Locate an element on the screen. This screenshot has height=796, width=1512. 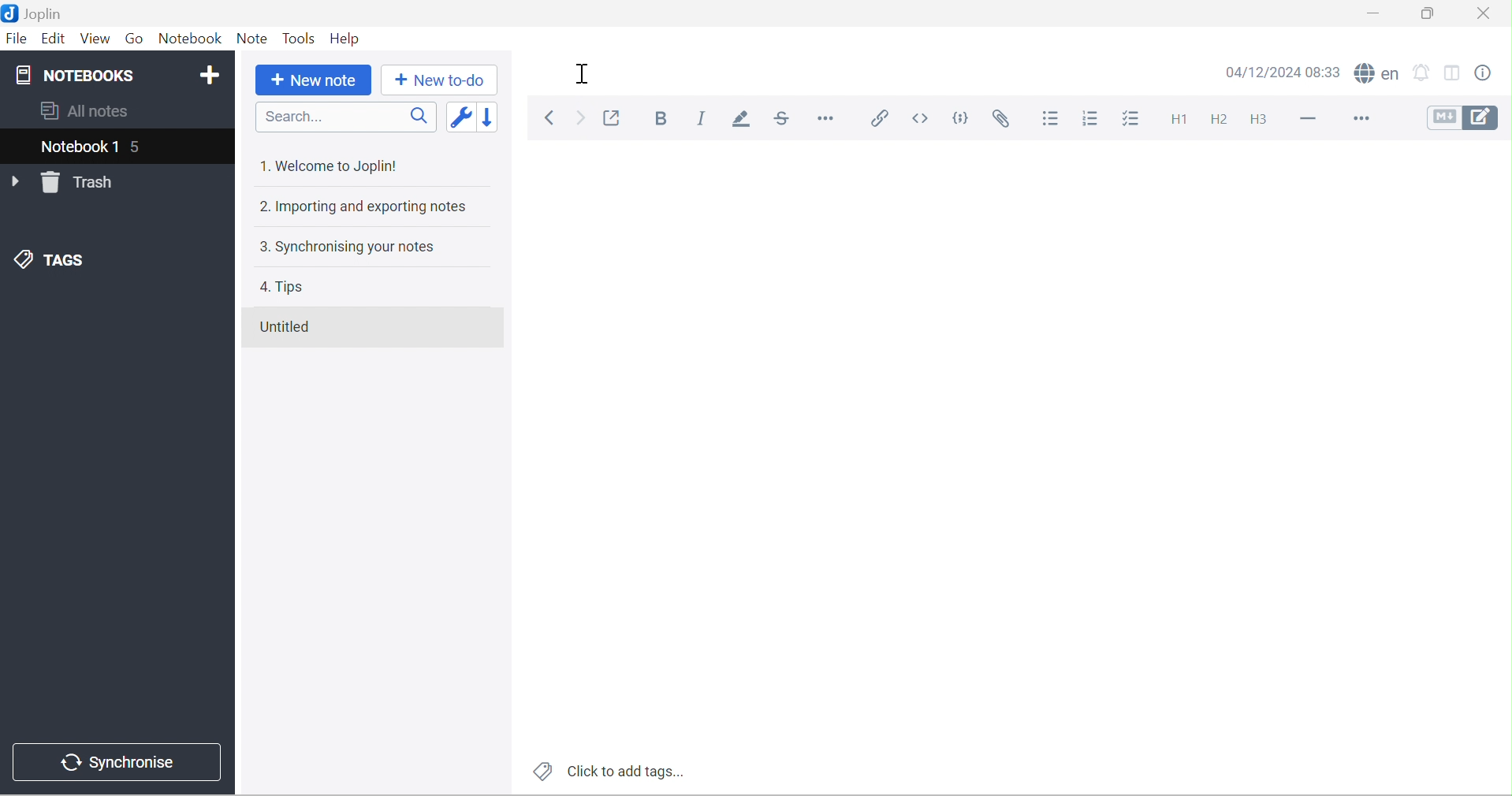
All notes is located at coordinates (88, 112).